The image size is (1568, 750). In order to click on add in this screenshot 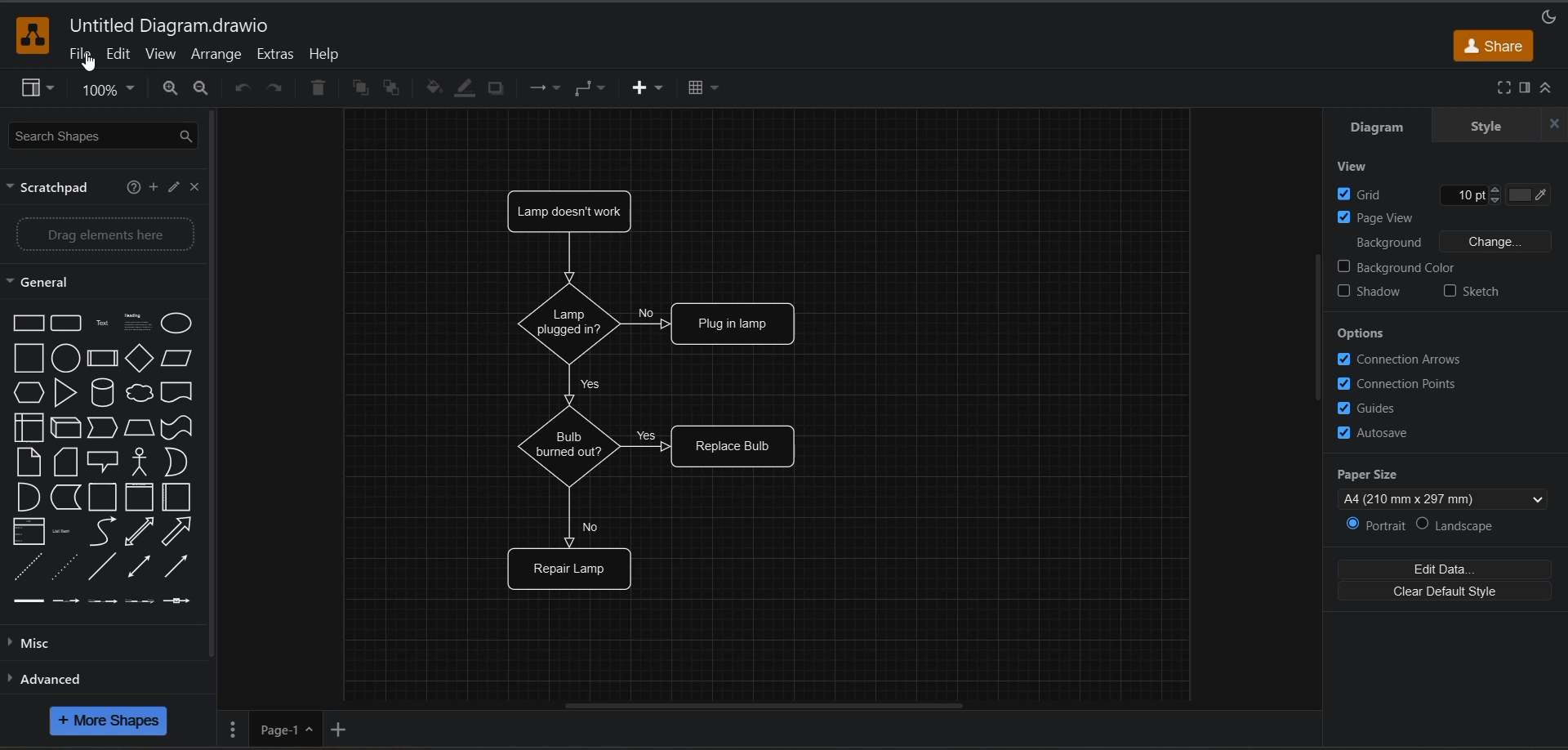, I will do `click(151, 186)`.